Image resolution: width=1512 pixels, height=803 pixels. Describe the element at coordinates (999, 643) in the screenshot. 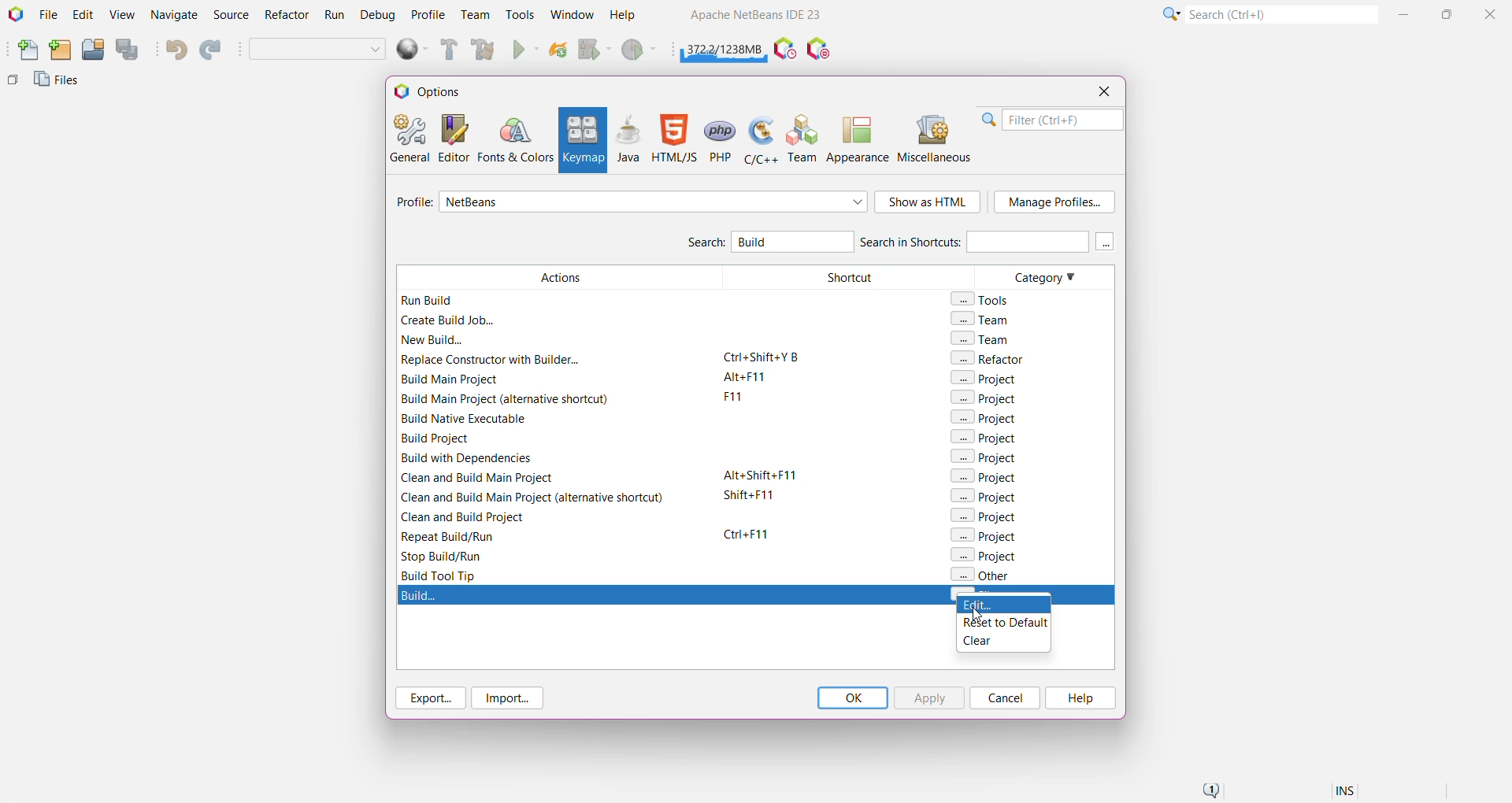

I see `Clear` at that location.